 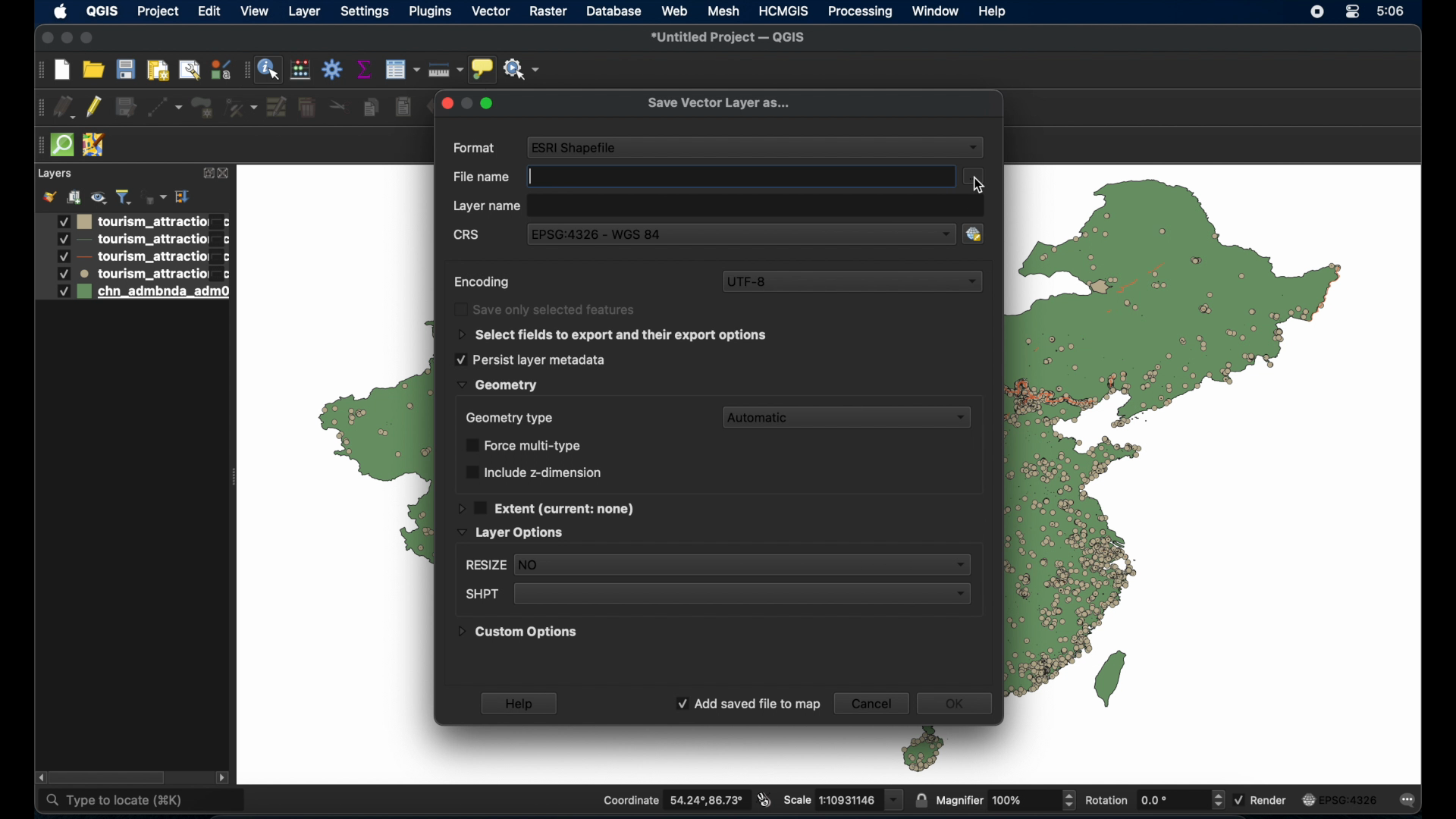 What do you see at coordinates (98, 197) in the screenshot?
I see `manage map theme` at bounding box center [98, 197].